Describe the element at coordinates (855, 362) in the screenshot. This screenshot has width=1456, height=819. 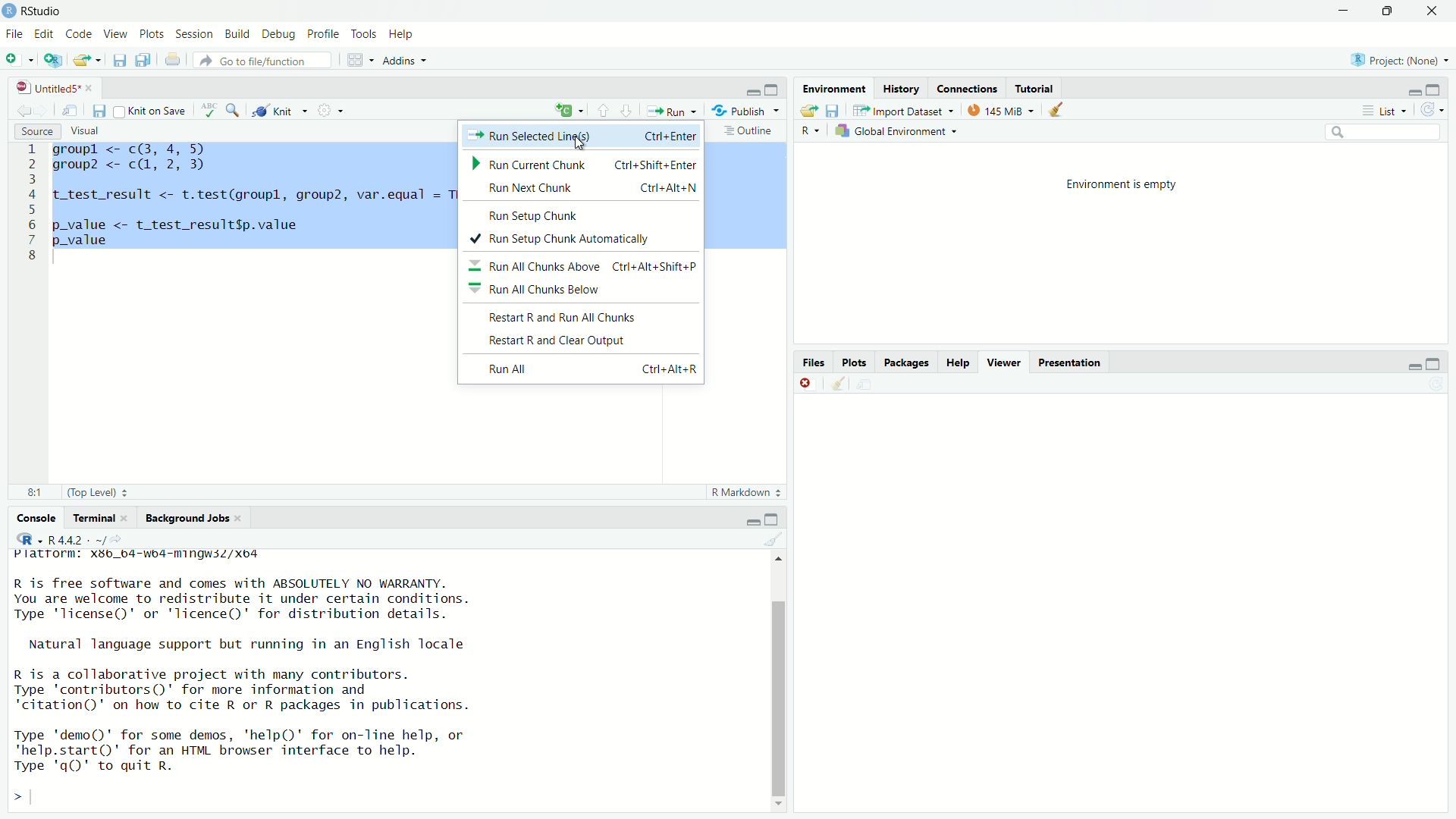
I see `Plots` at that location.